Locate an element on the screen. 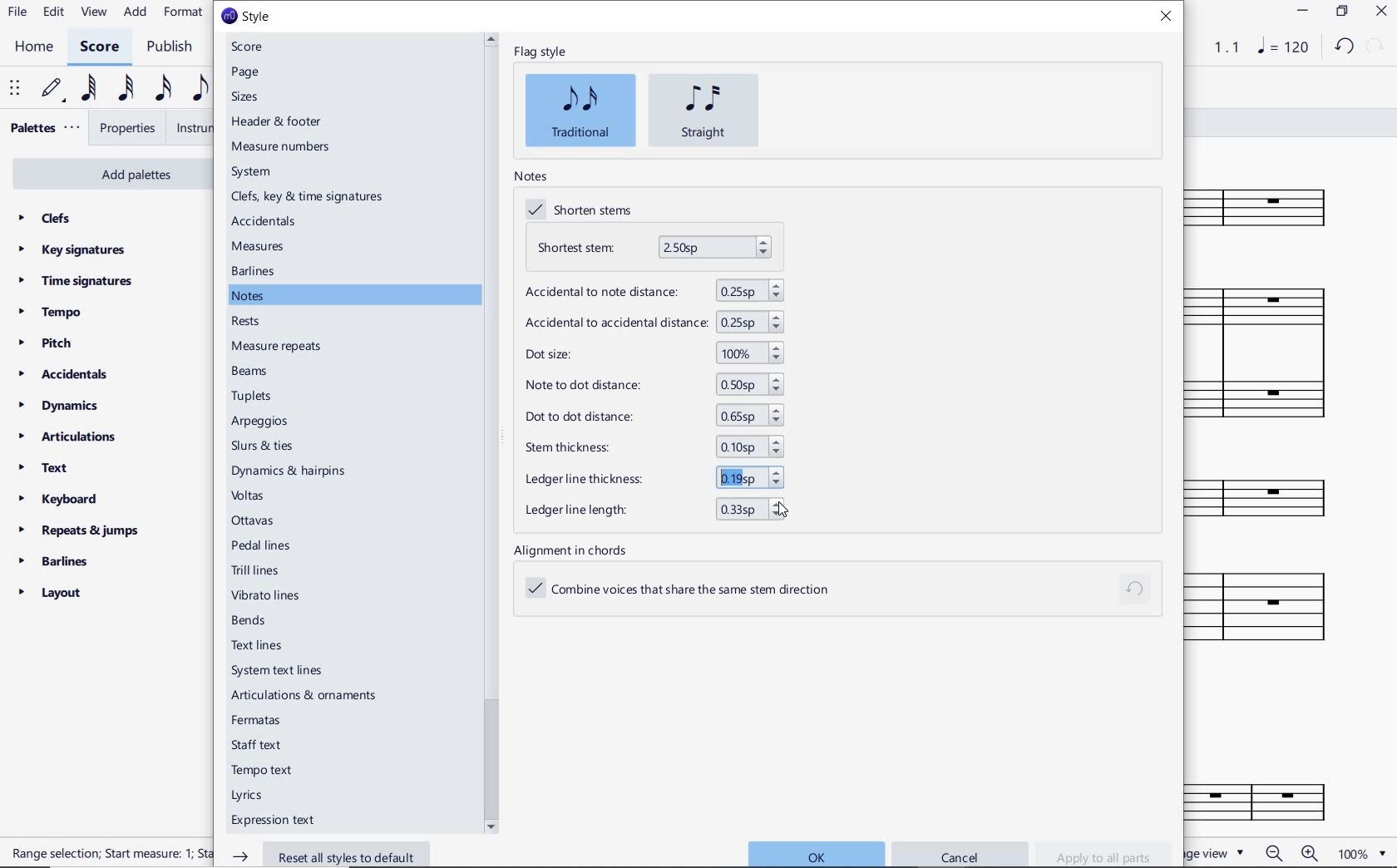 The height and width of the screenshot is (868, 1397). 32nd note is located at coordinates (126, 91).